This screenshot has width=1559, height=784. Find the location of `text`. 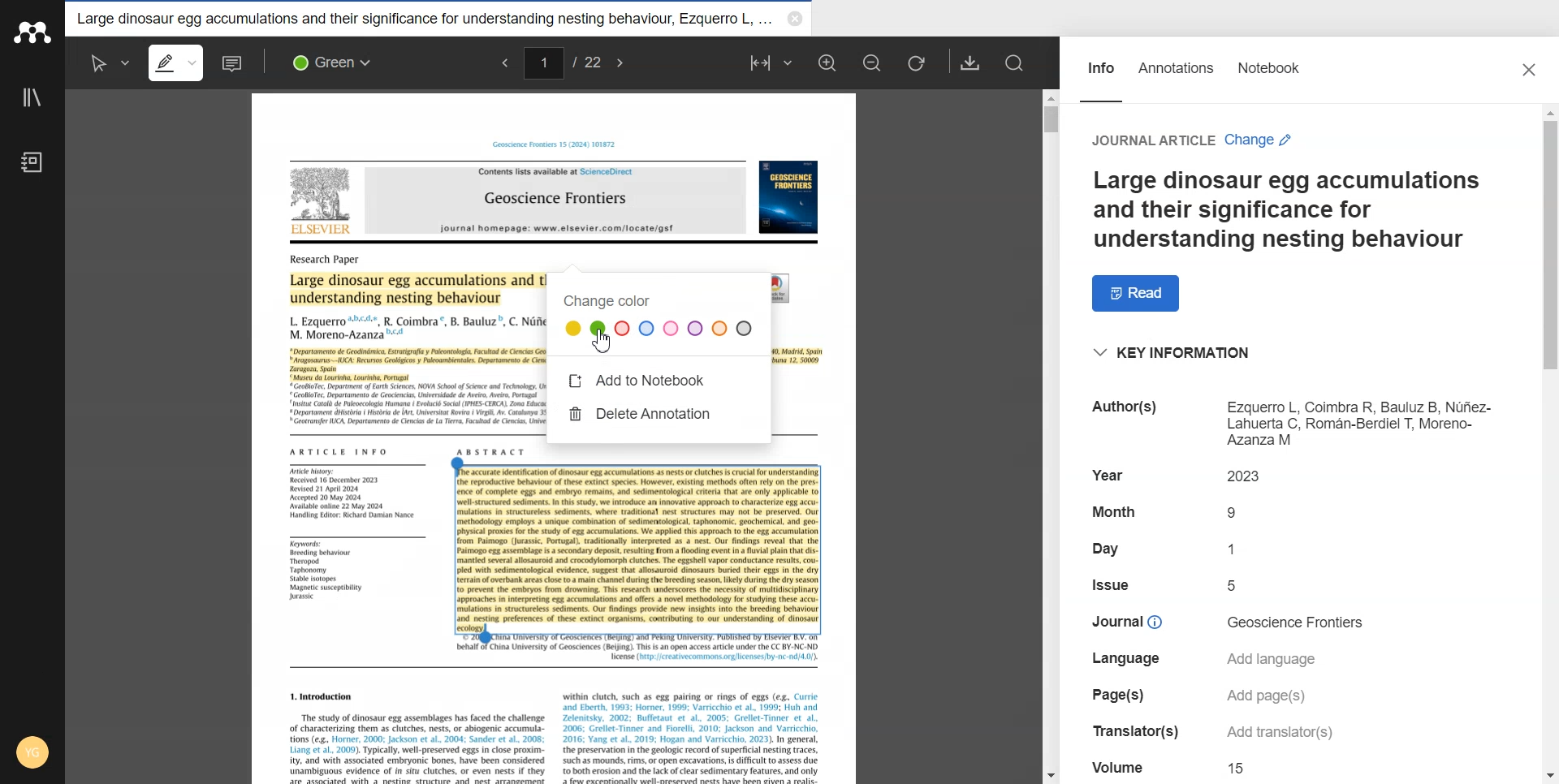

text is located at coordinates (324, 259).